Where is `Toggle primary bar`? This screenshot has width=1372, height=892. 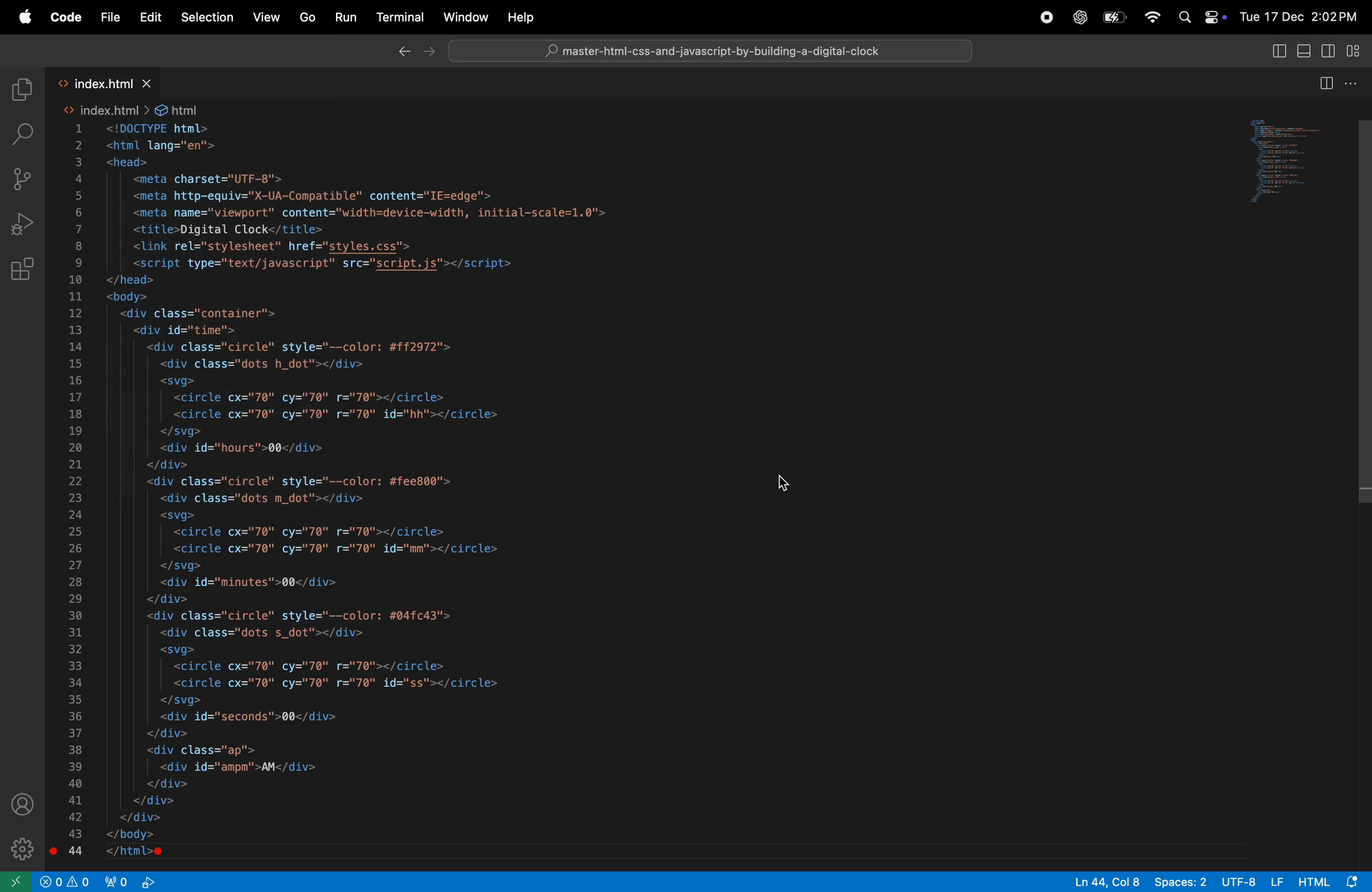 Toggle primary bar is located at coordinates (1355, 51).